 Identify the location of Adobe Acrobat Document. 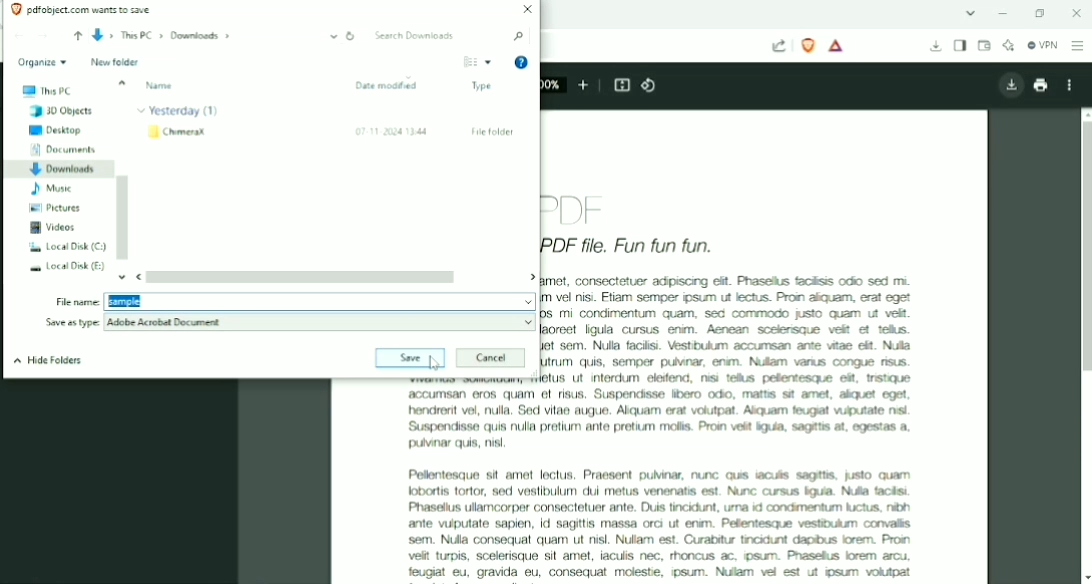
(322, 322).